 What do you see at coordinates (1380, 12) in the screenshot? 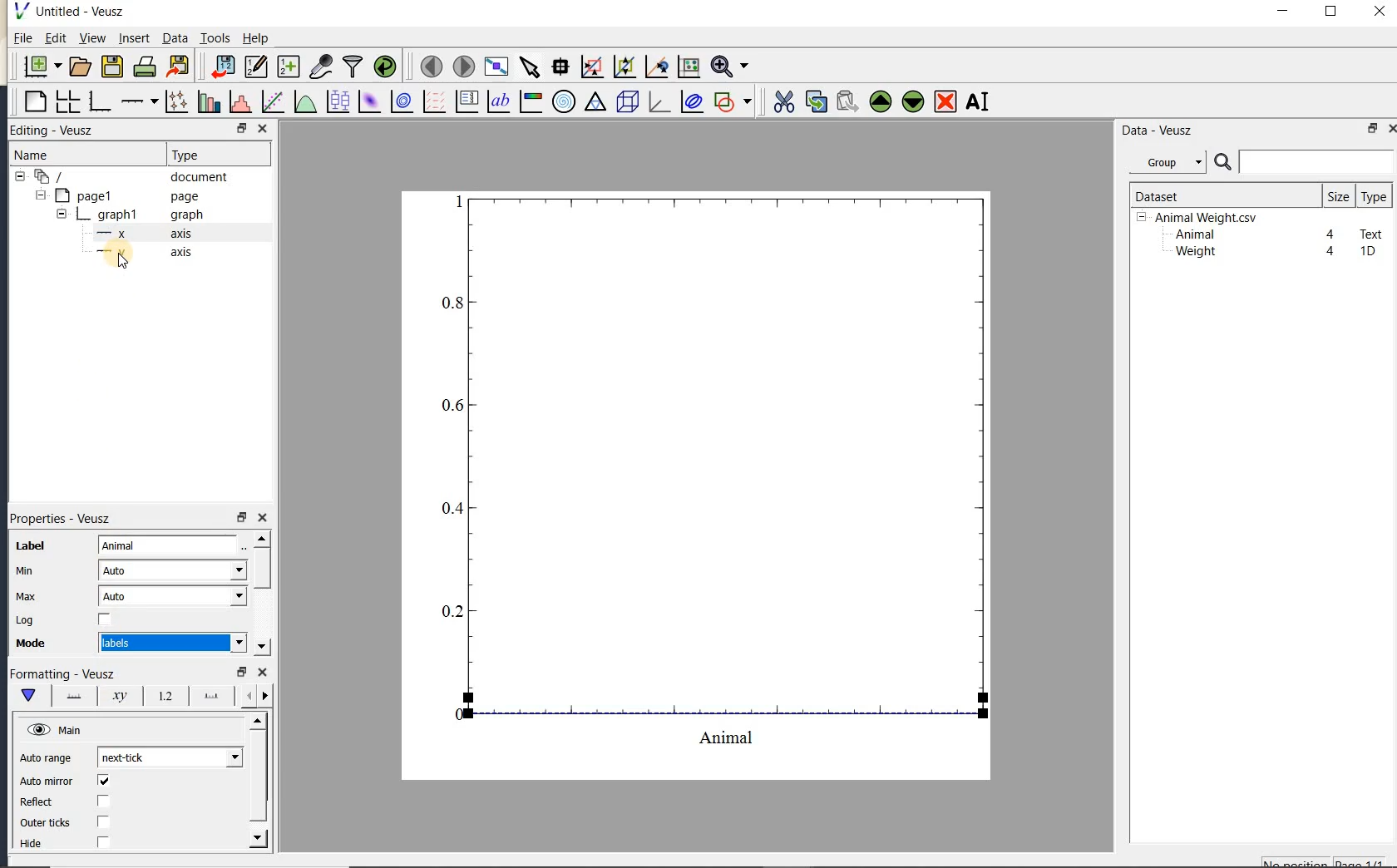
I see `close` at bounding box center [1380, 12].